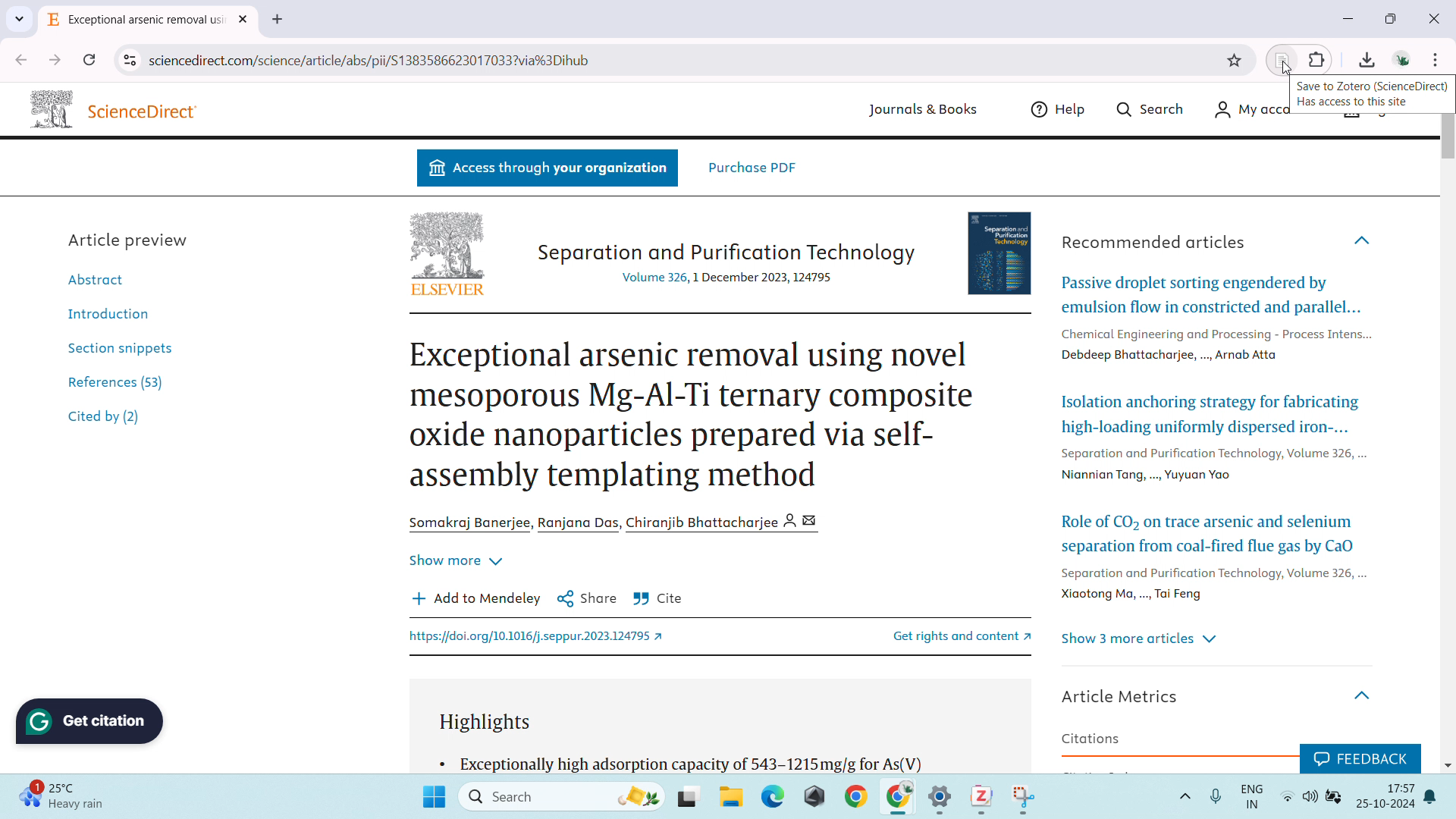 This screenshot has height=819, width=1456. I want to click on url space, so click(682, 60).